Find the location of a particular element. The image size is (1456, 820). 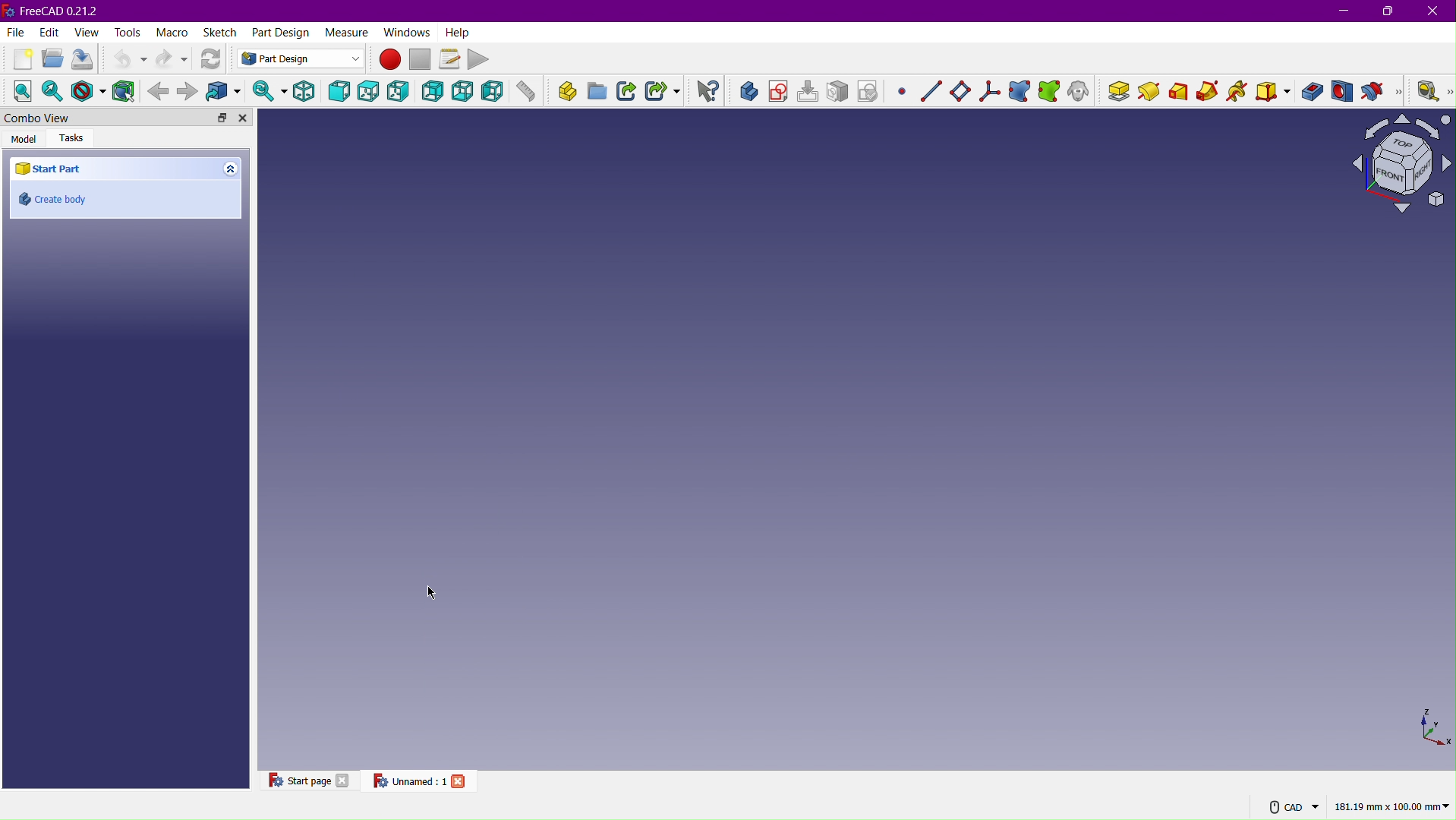

Expand is located at coordinates (217, 119).